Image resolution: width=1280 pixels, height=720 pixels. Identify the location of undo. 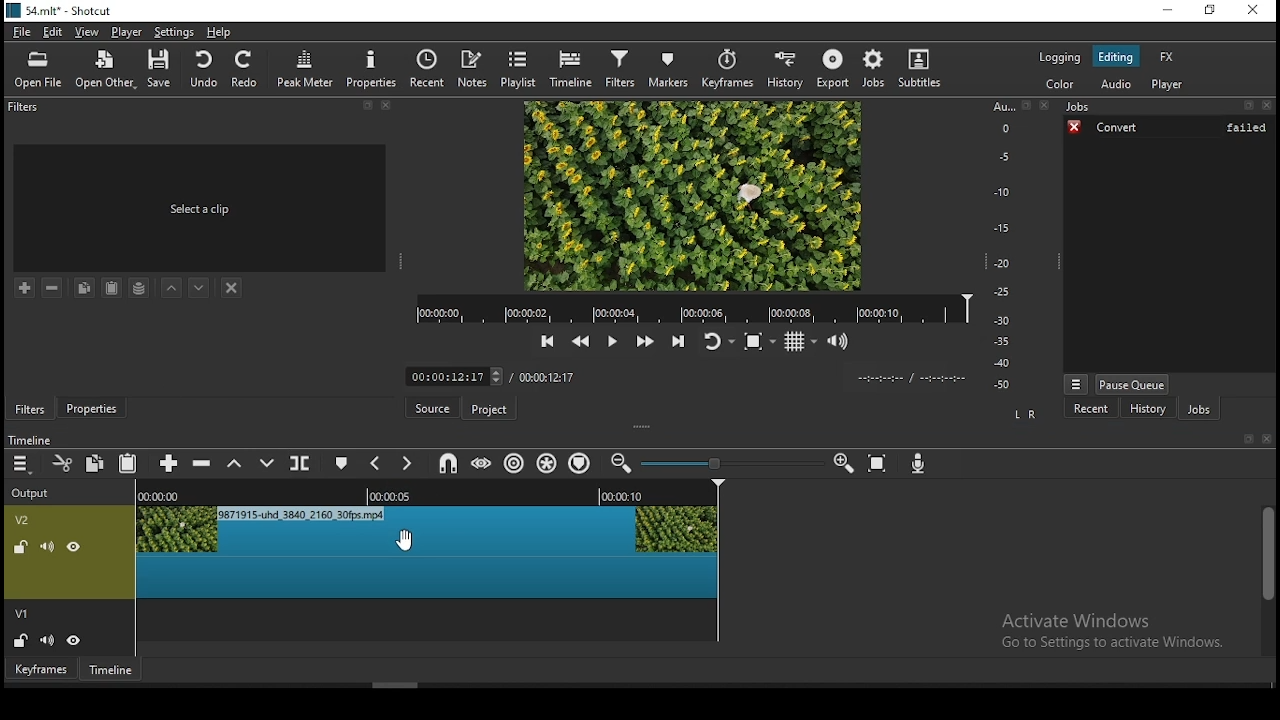
(205, 70).